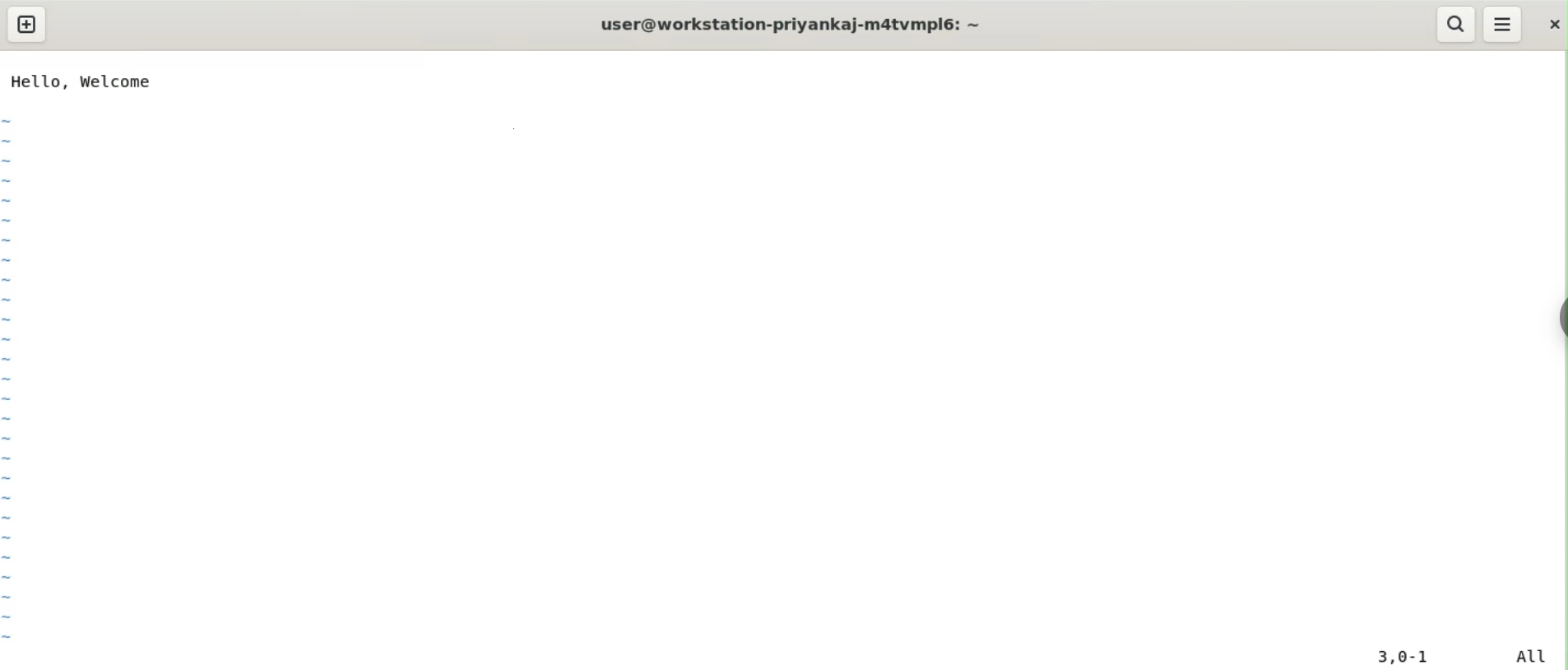  Describe the element at coordinates (1551, 25) in the screenshot. I see `close` at that location.